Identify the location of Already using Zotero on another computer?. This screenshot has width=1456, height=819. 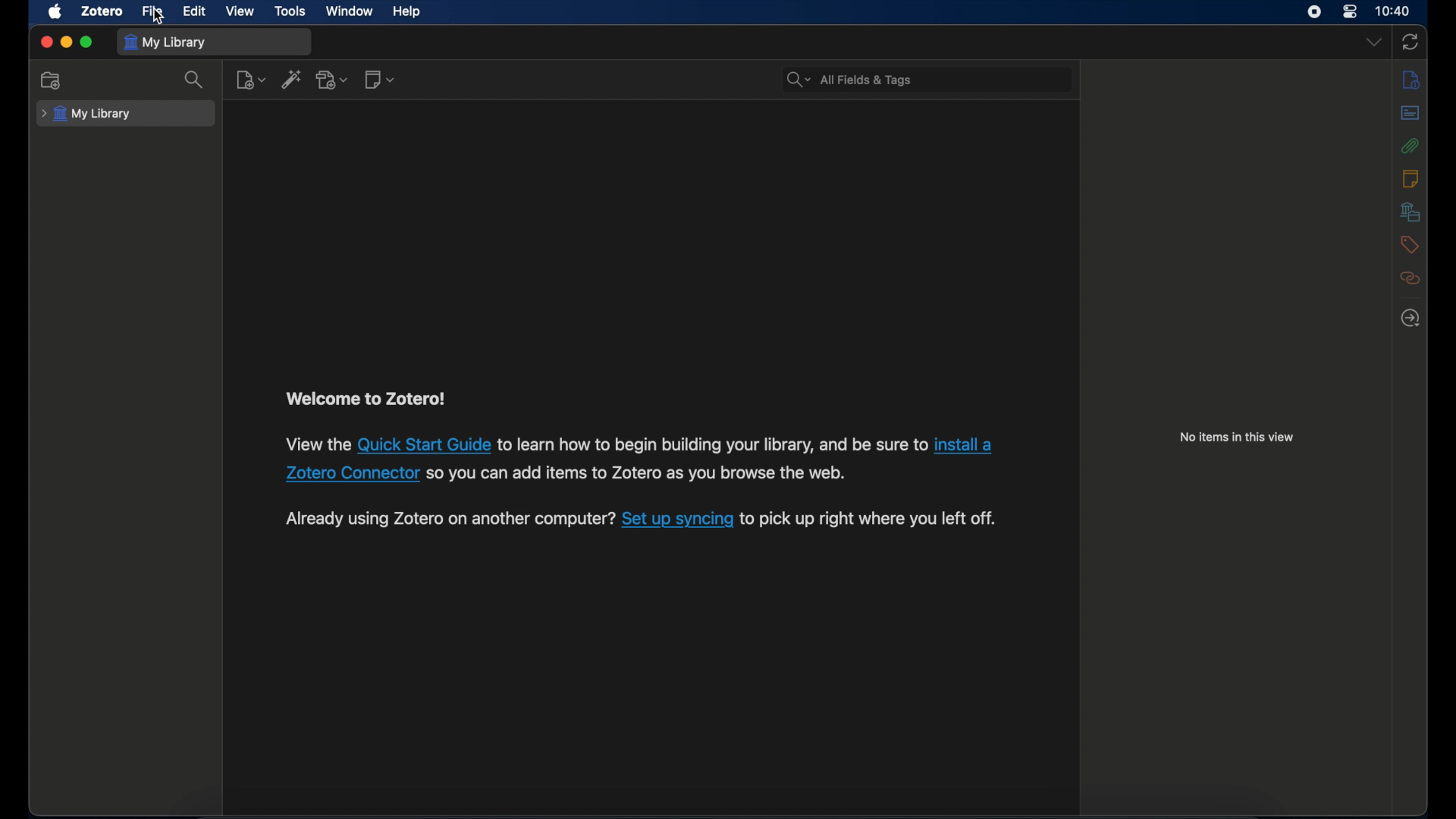
(448, 518).